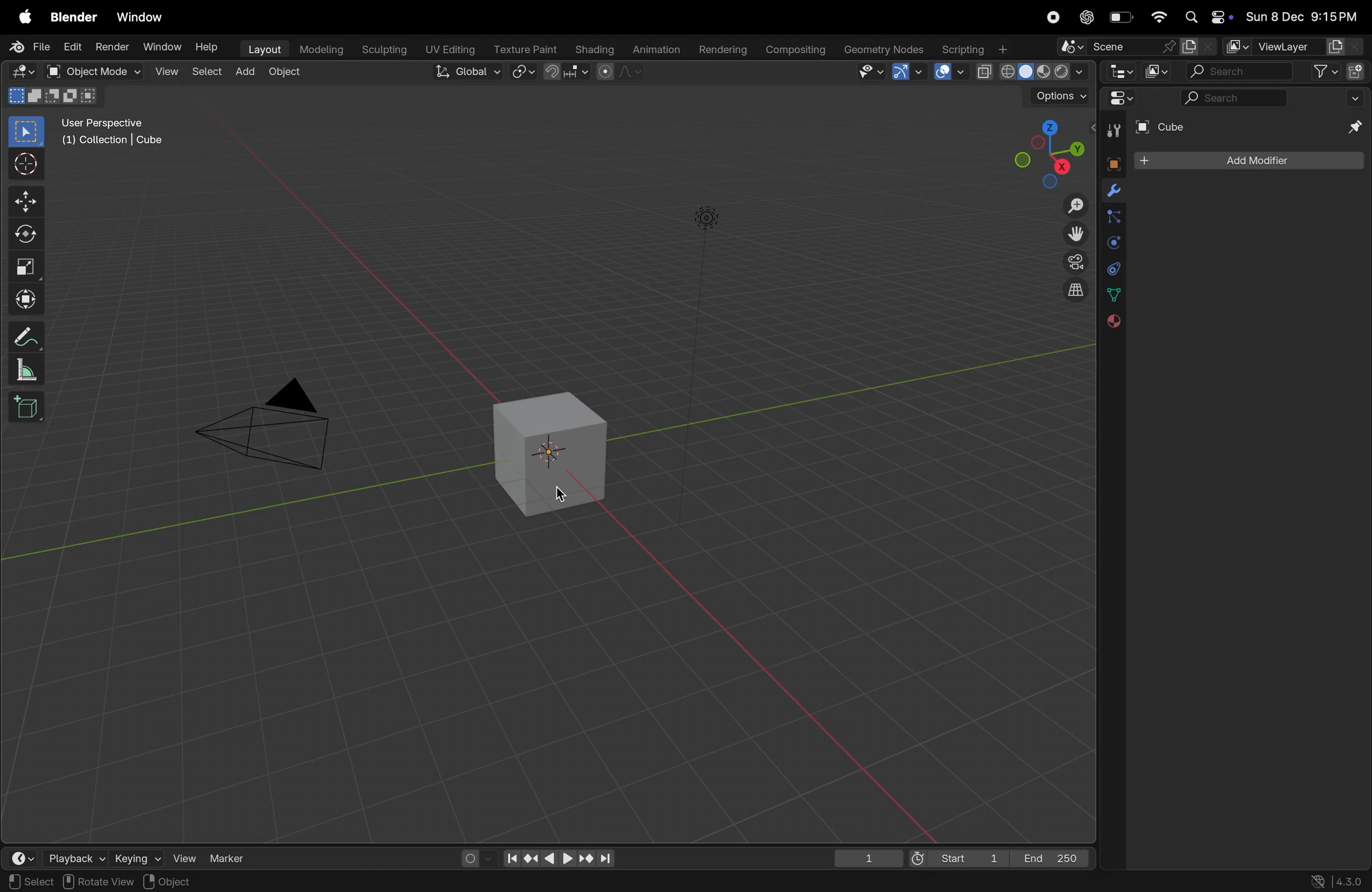  Describe the element at coordinates (1113, 219) in the screenshot. I see `particles` at that location.